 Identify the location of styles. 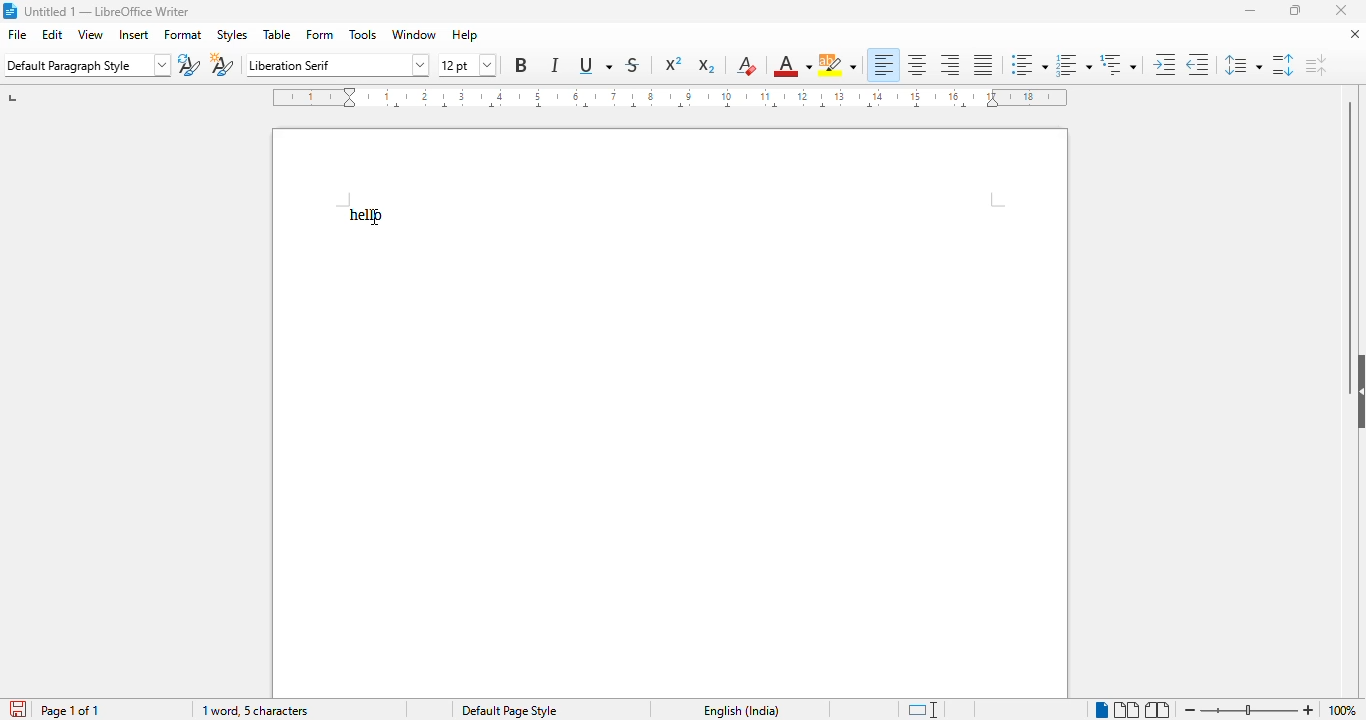
(233, 36).